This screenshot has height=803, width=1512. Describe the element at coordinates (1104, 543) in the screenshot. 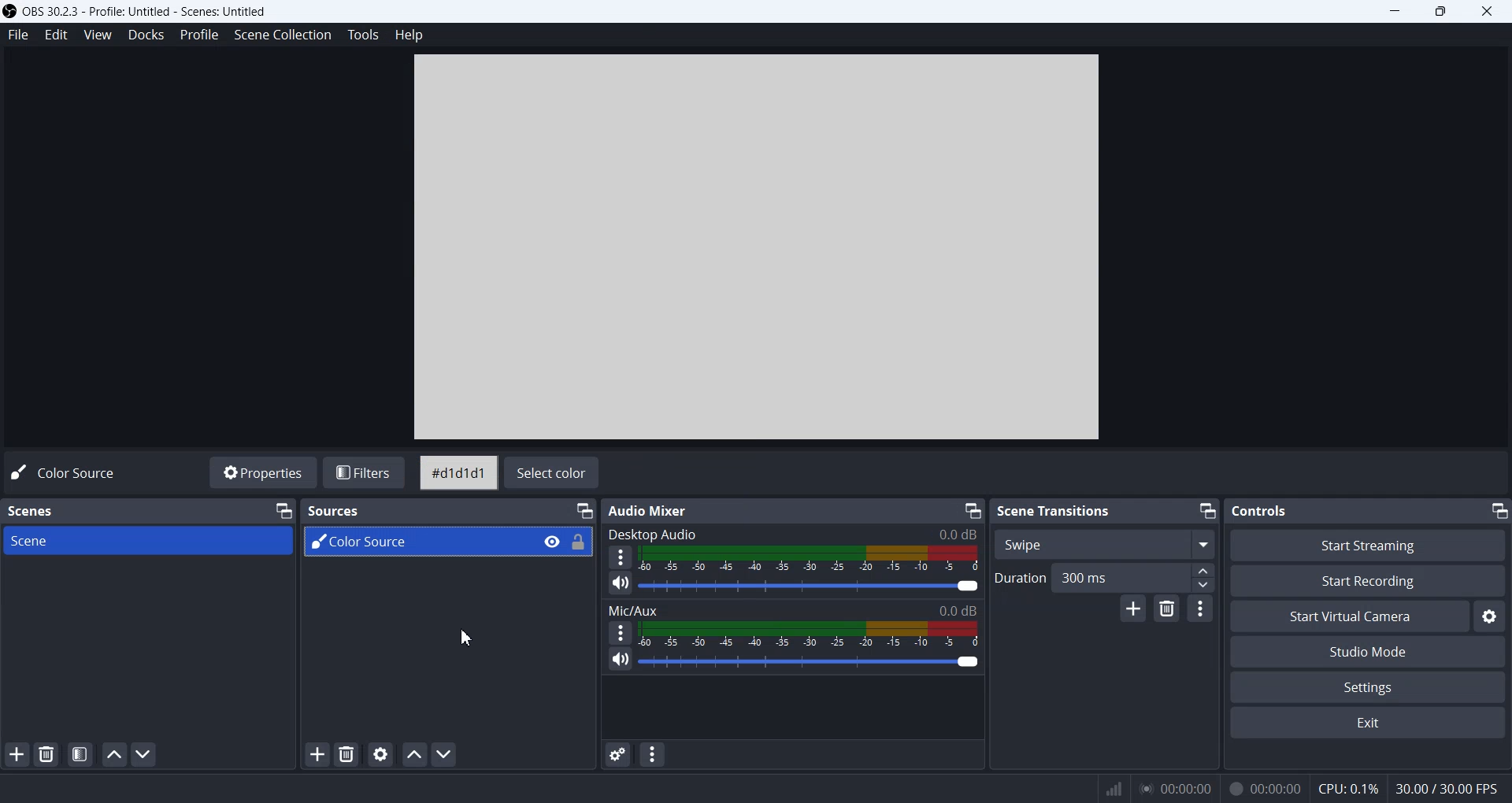

I see `Swipe` at that location.